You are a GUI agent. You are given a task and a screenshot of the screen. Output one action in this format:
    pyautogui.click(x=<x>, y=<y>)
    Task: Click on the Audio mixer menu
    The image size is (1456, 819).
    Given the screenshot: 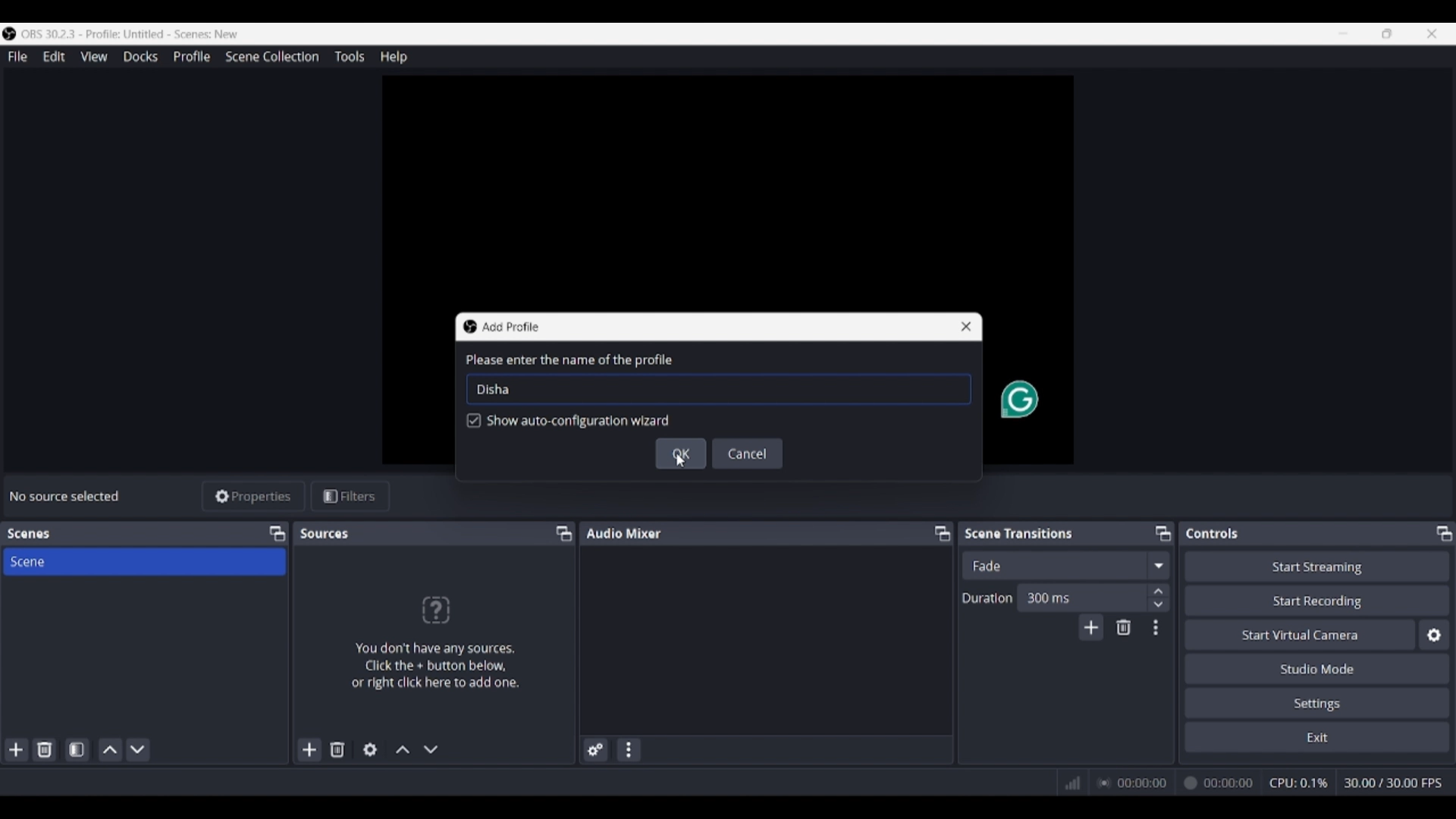 What is the action you would take?
    pyautogui.click(x=628, y=750)
    